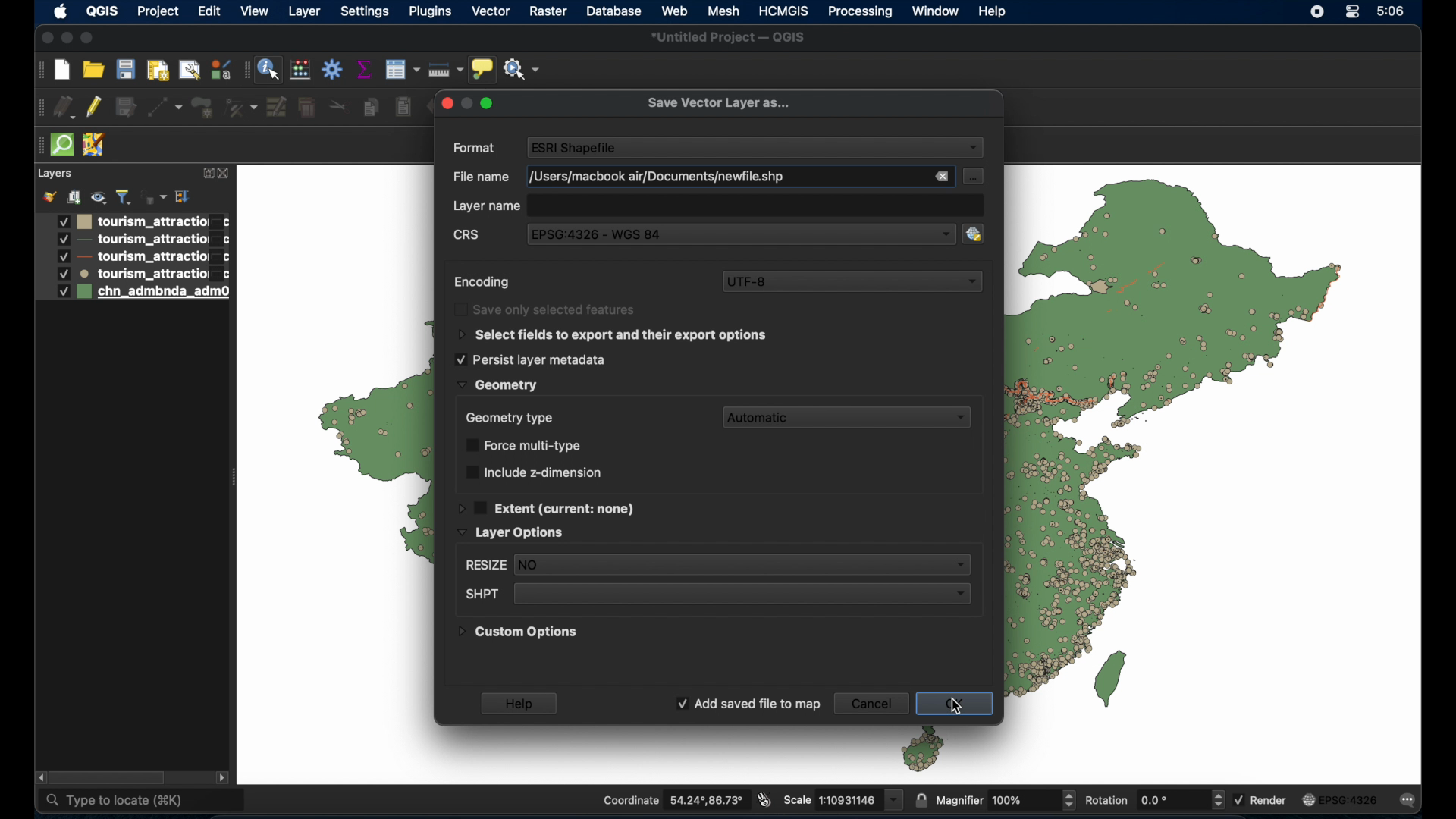 The width and height of the screenshot is (1456, 819). Describe the element at coordinates (511, 533) in the screenshot. I see `layer options` at that location.